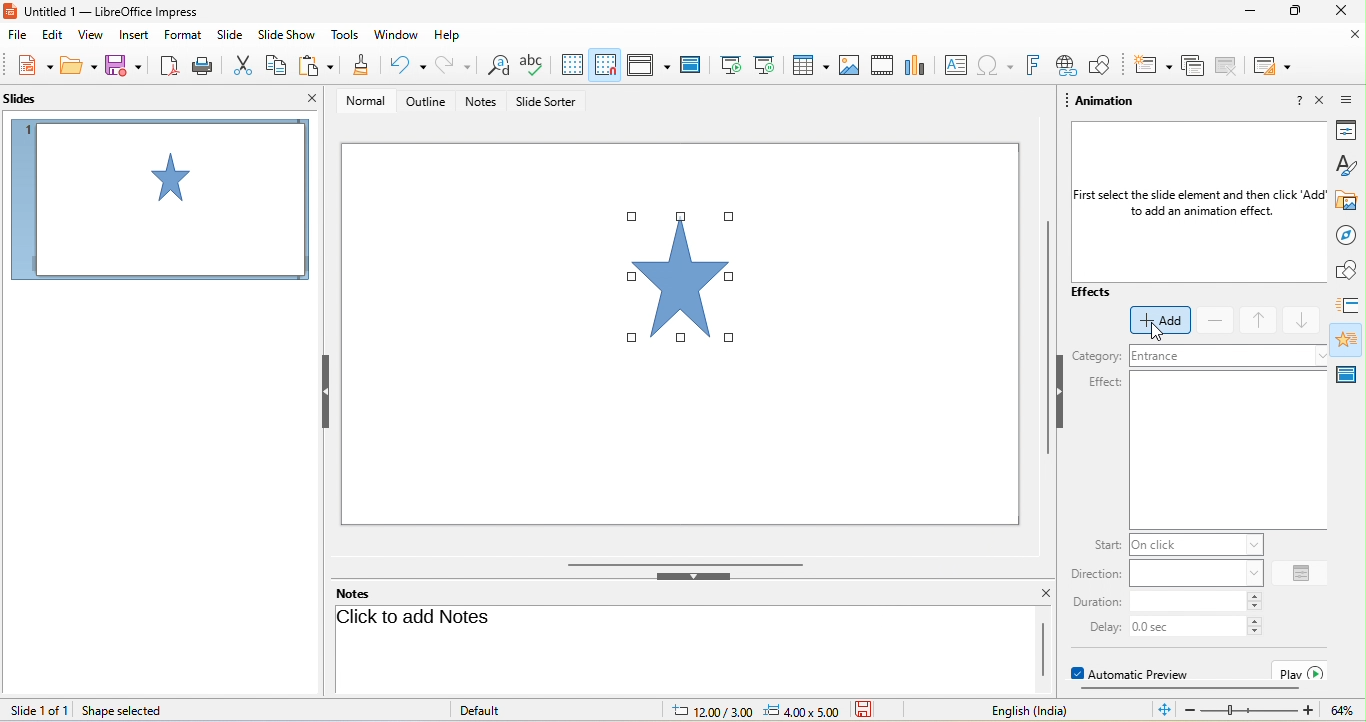  What do you see at coordinates (1032, 66) in the screenshot?
I see `fontwork text` at bounding box center [1032, 66].